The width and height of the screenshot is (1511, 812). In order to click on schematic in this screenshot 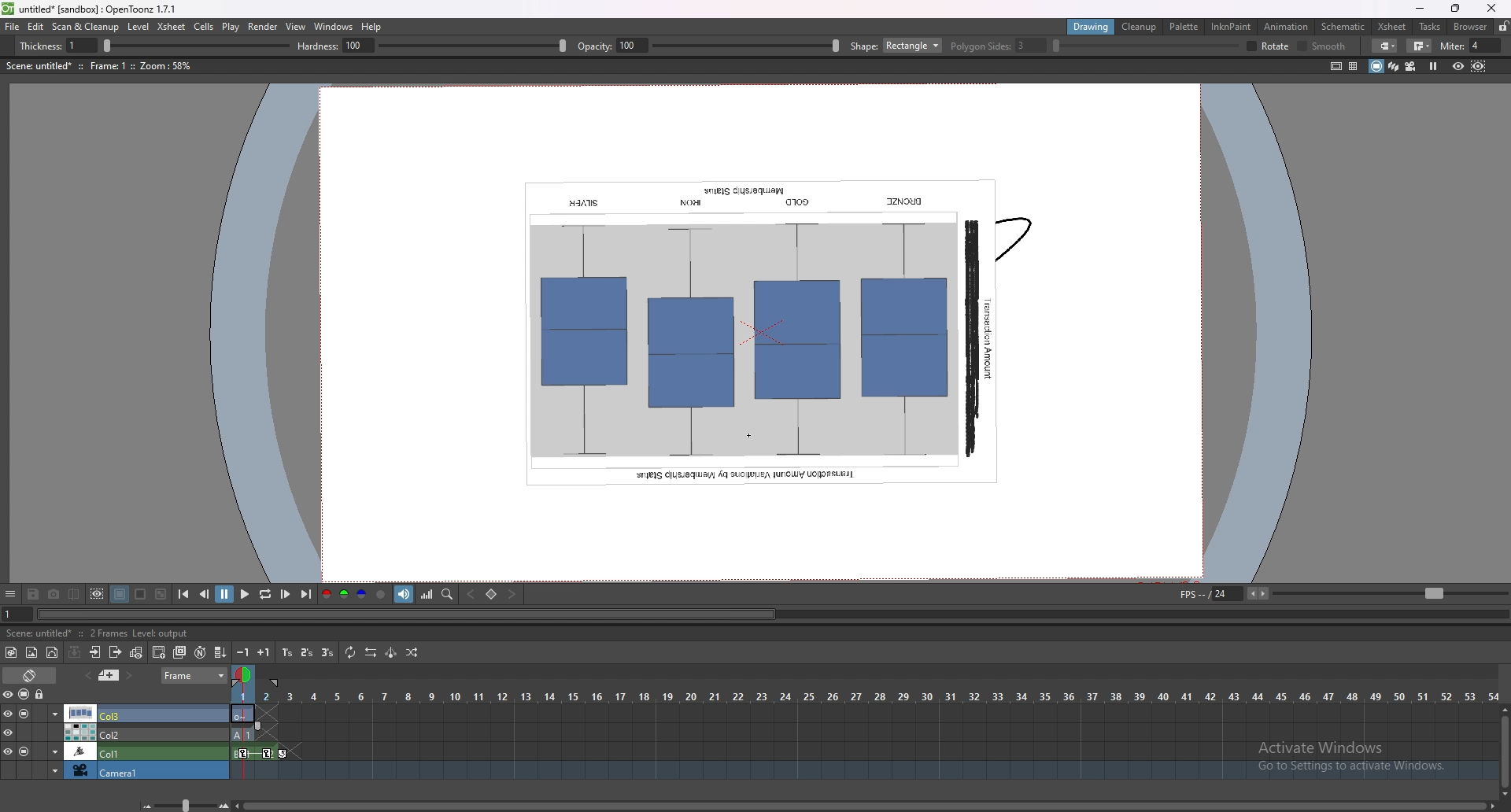, I will do `click(1343, 25)`.